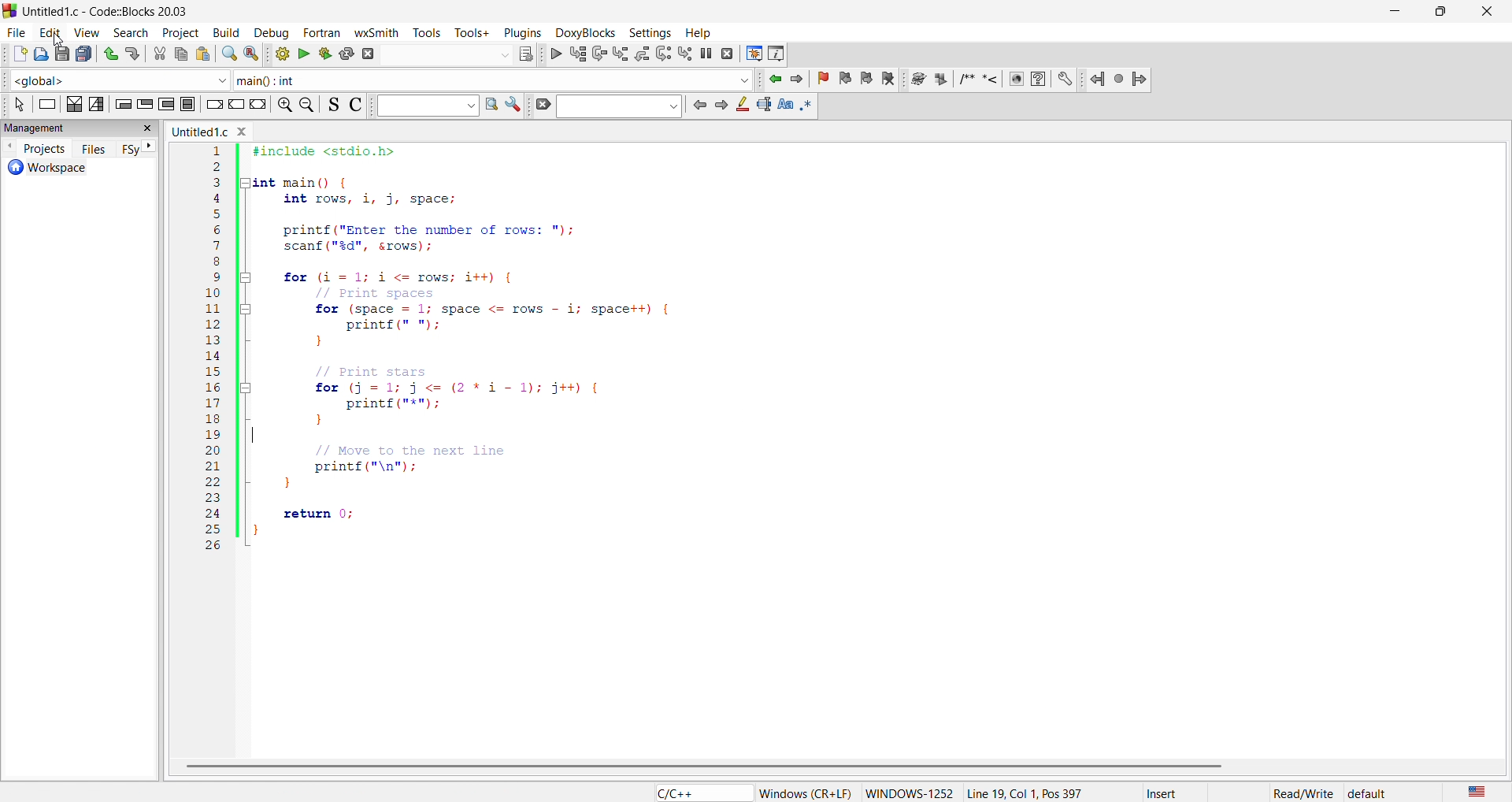  Describe the element at coordinates (1041, 80) in the screenshot. I see `help` at that location.